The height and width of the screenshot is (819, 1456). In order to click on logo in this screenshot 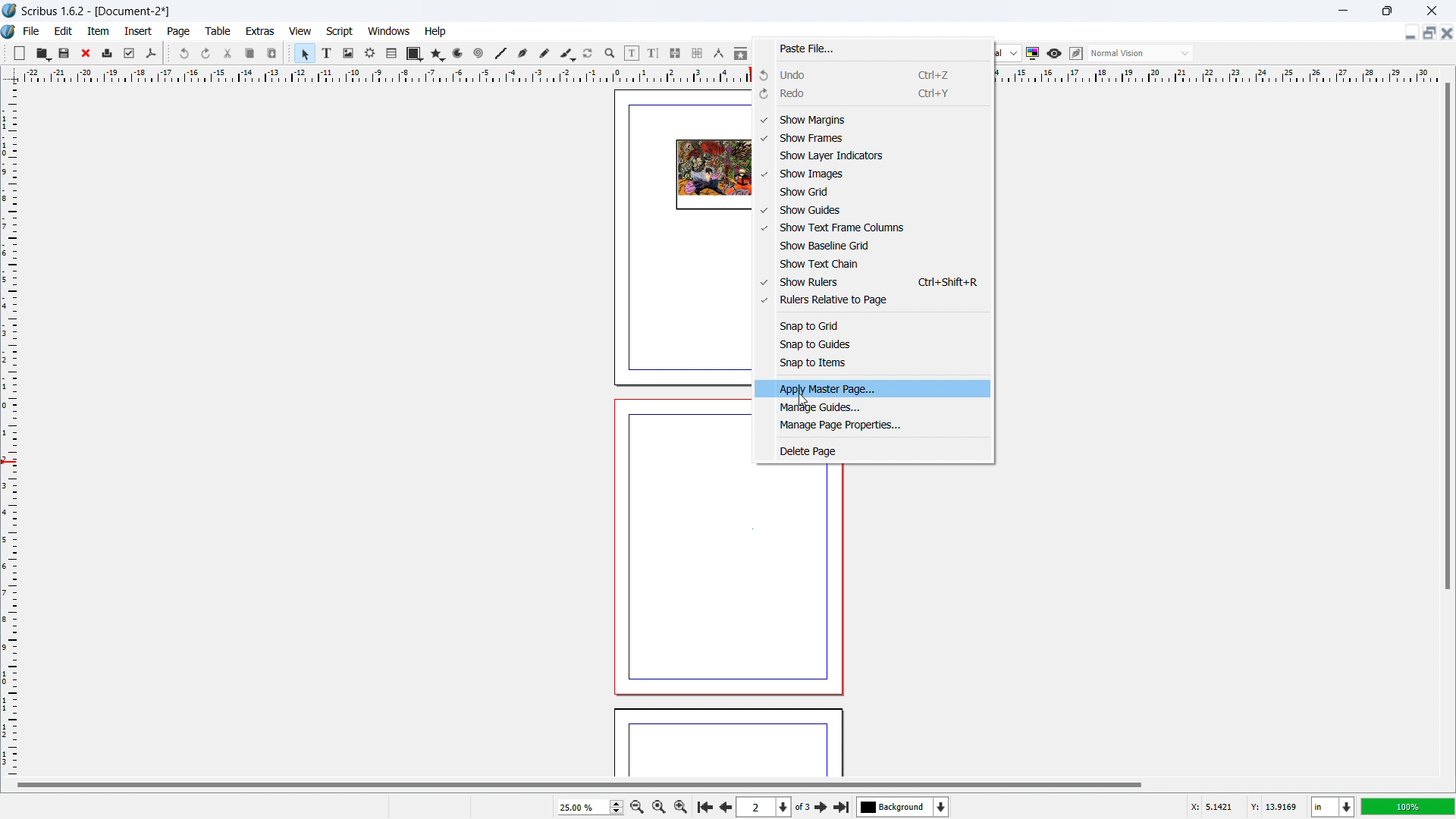, I will do `click(9, 33)`.